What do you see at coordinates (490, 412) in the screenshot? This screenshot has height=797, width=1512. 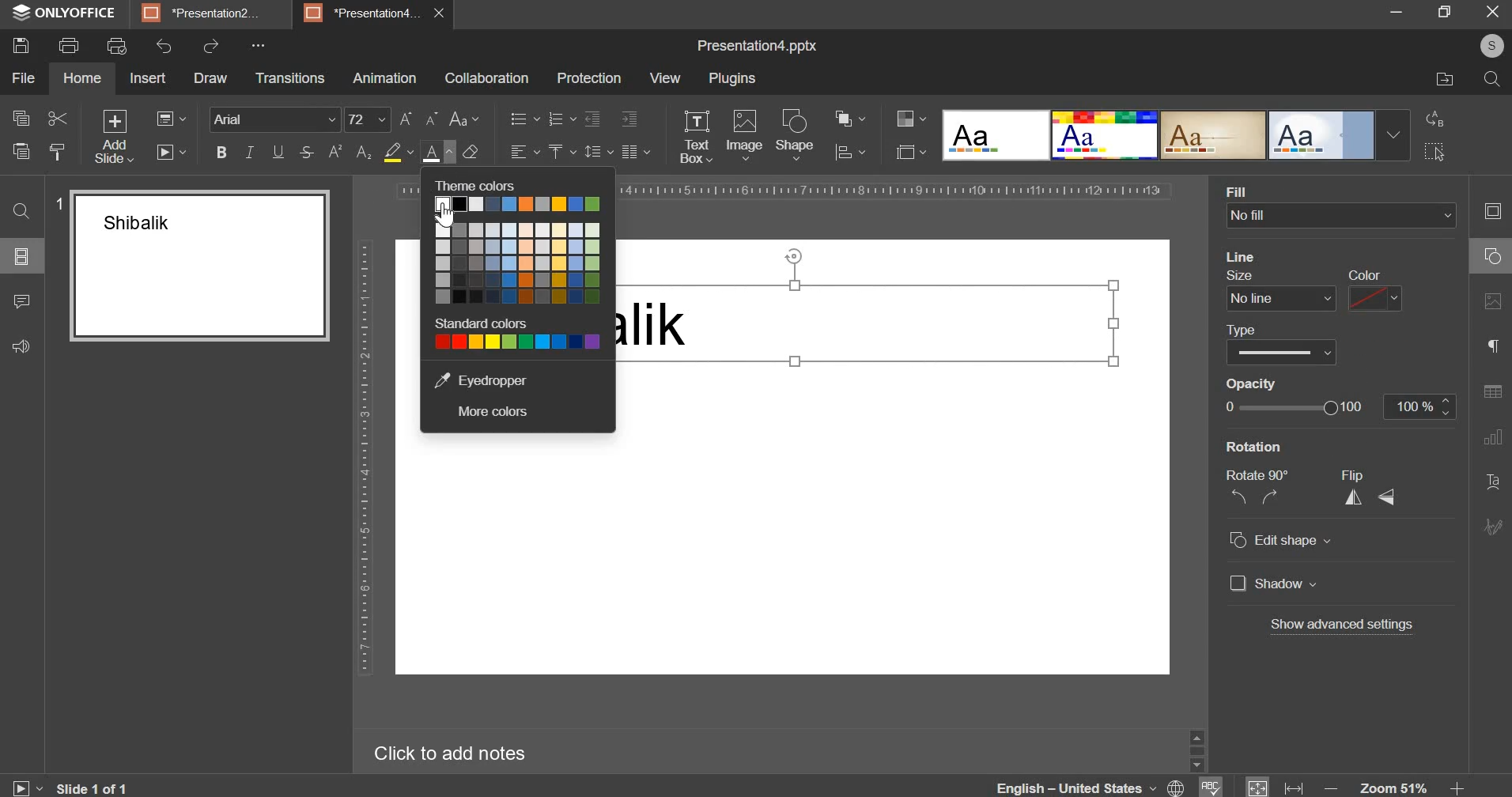 I see `more colors` at bounding box center [490, 412].